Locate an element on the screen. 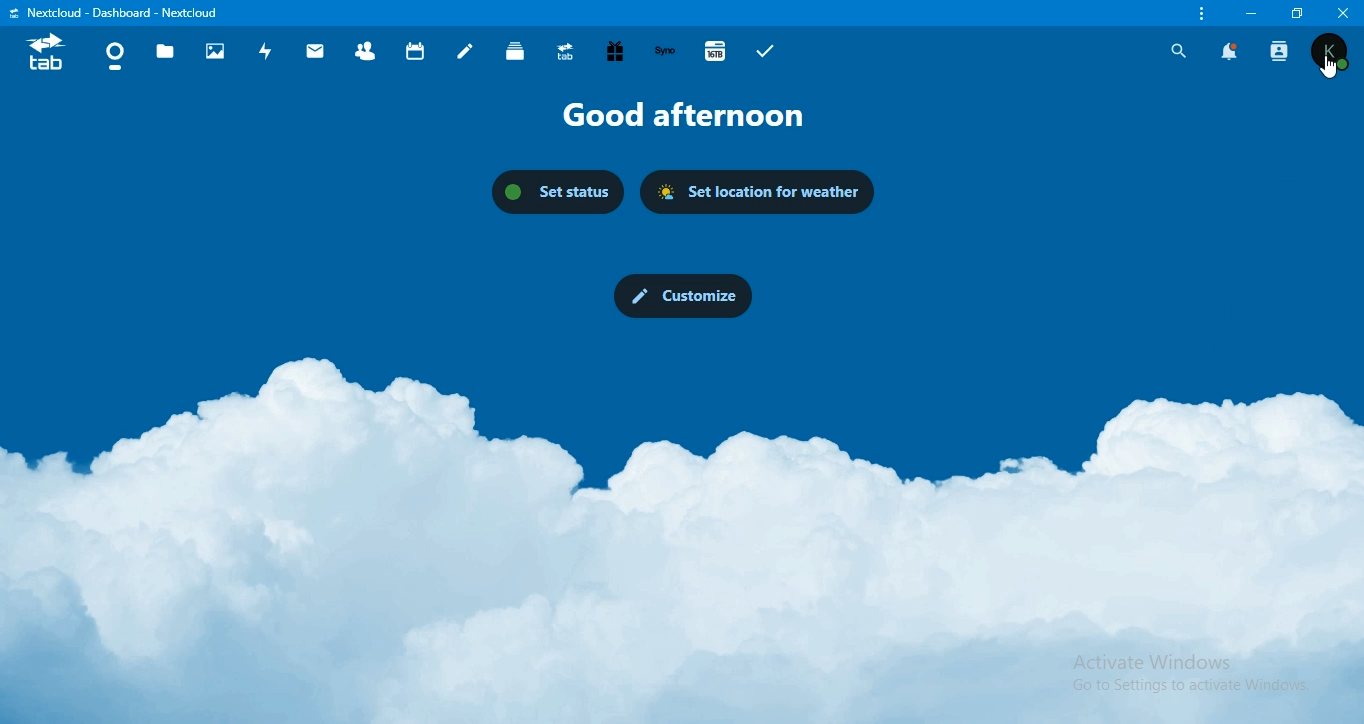 This screenshot has width=1364, height=724. calendar is located at coordinates (416, 50).